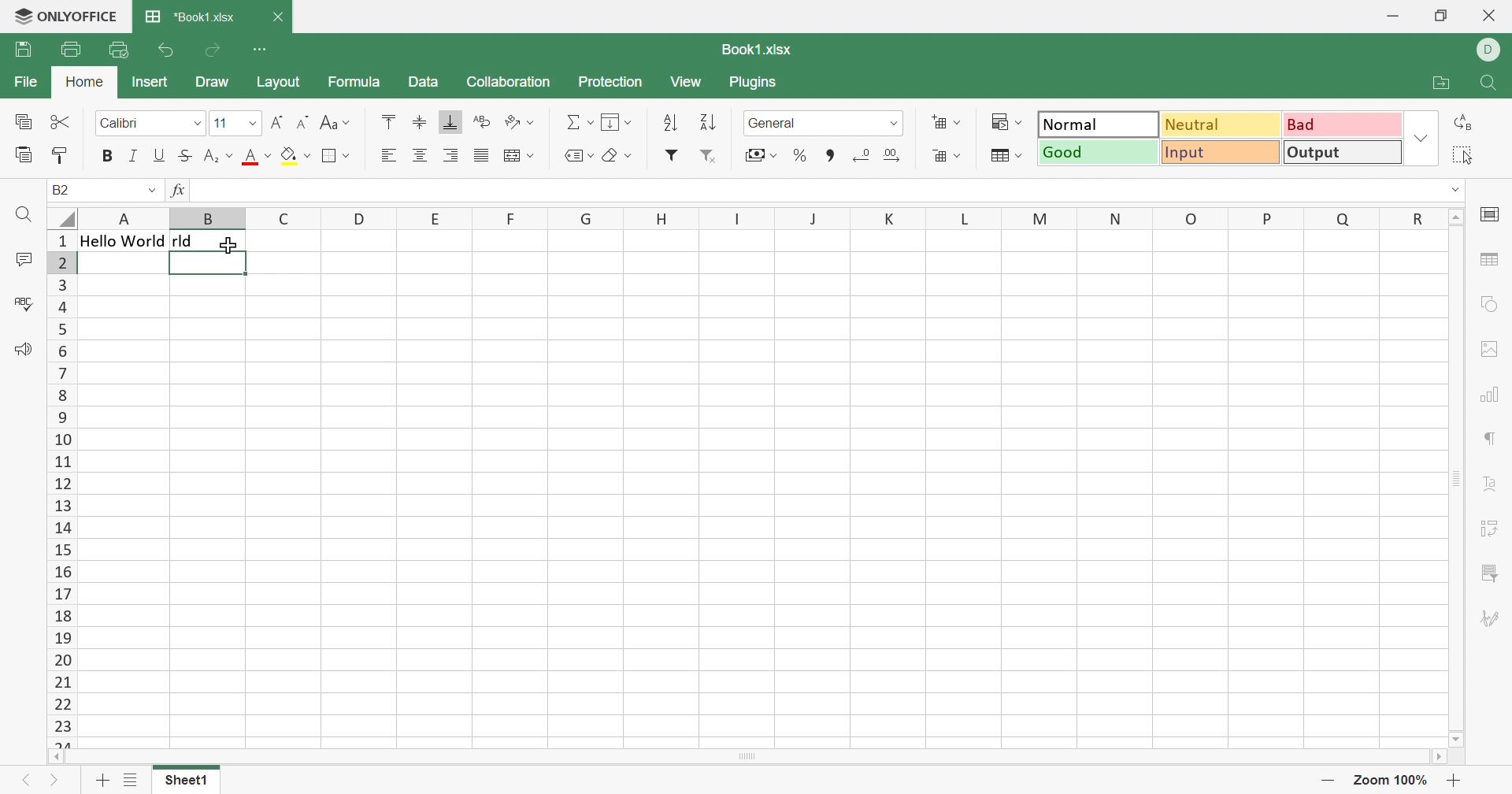  Describe the element at coordinates (133, 155) in the screenshot. I see `Italic` at that location.